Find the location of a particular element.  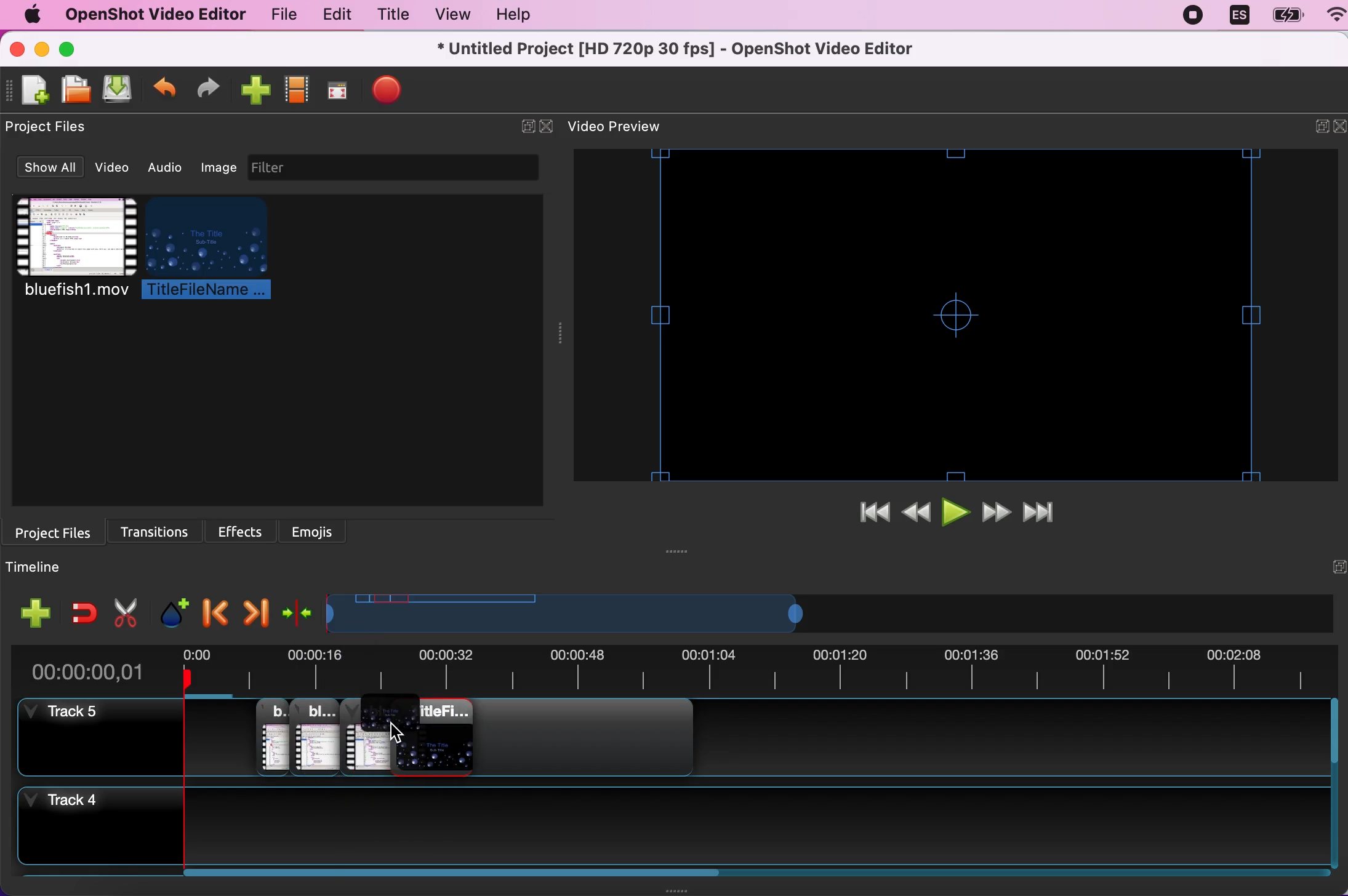

close is located at coordinates (1339, 127).